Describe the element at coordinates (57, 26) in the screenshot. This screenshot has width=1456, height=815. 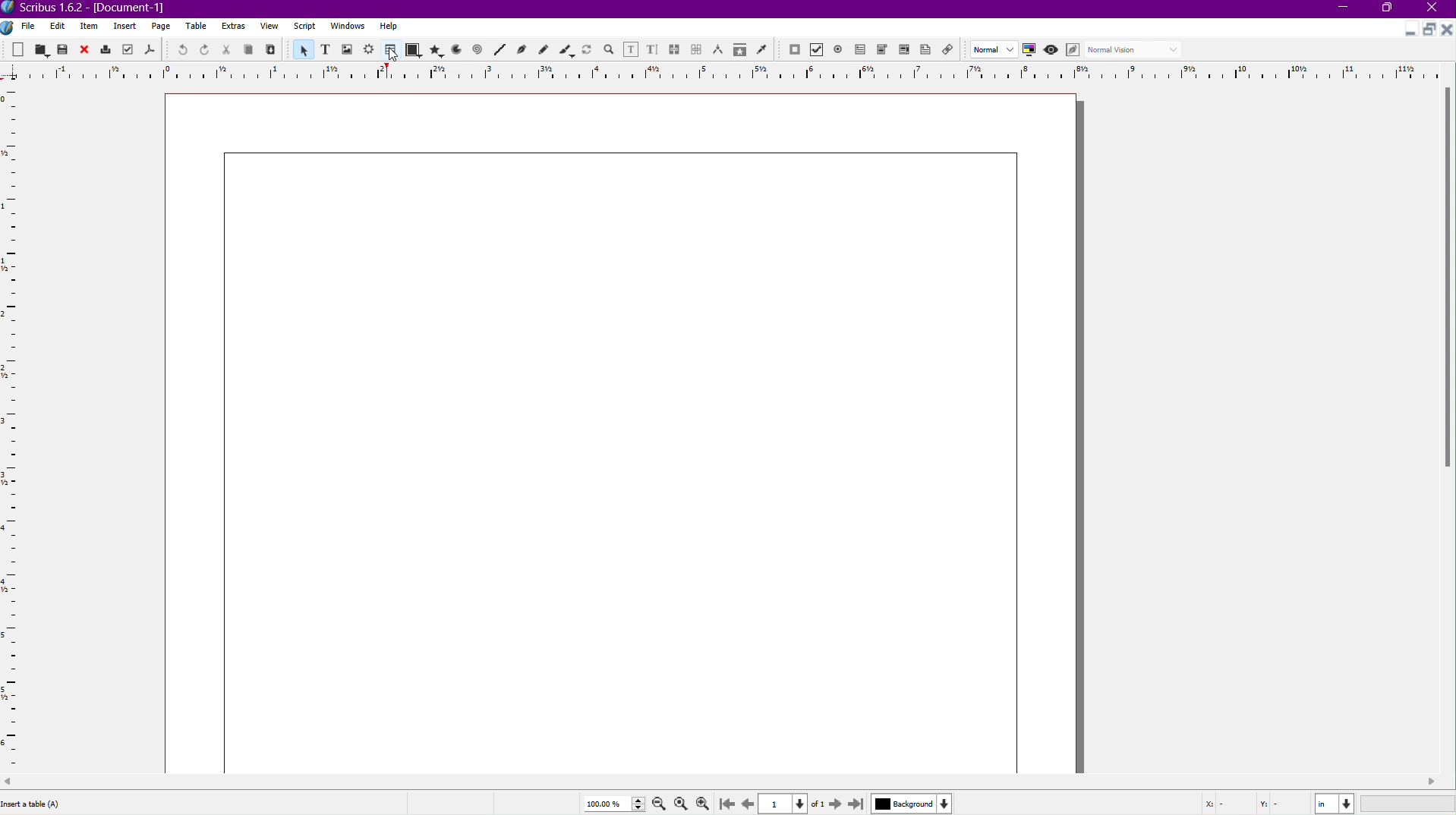
I see `Edit` at that location.